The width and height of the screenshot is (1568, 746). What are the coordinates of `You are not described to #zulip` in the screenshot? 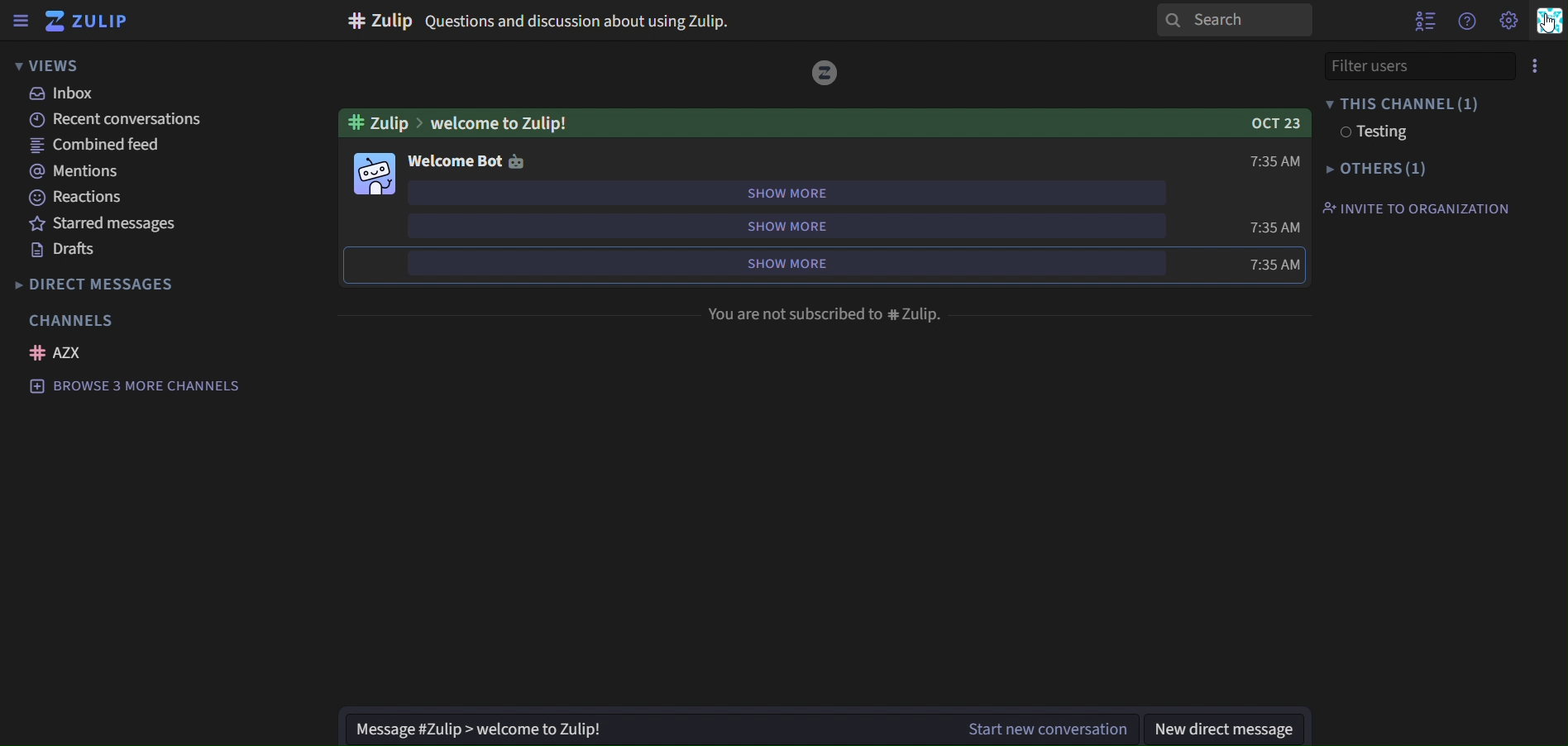 It's located at (823, 313).